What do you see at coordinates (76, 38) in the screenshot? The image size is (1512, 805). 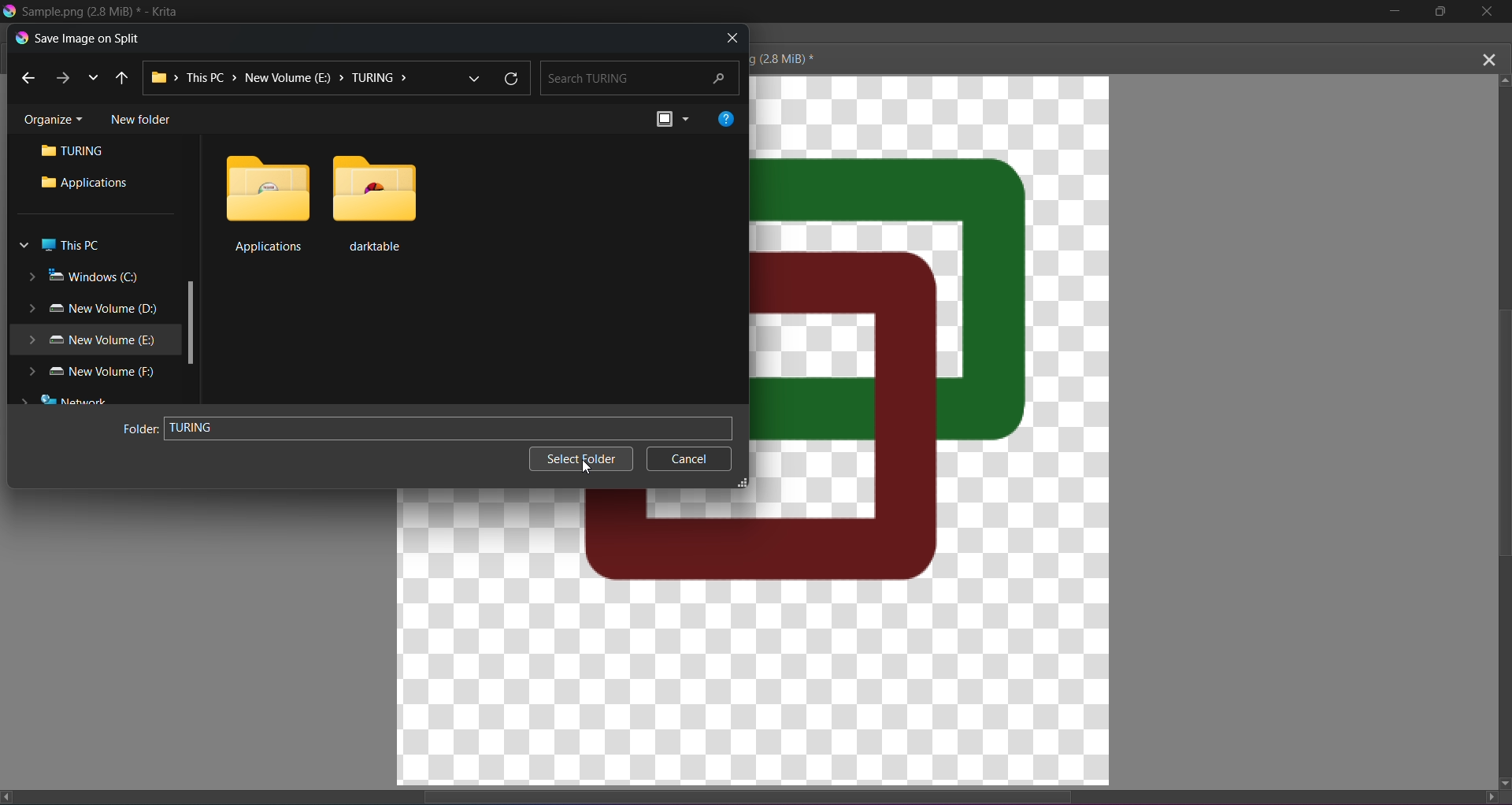 I see `Save image on Split` at bounding box center [76, 38].